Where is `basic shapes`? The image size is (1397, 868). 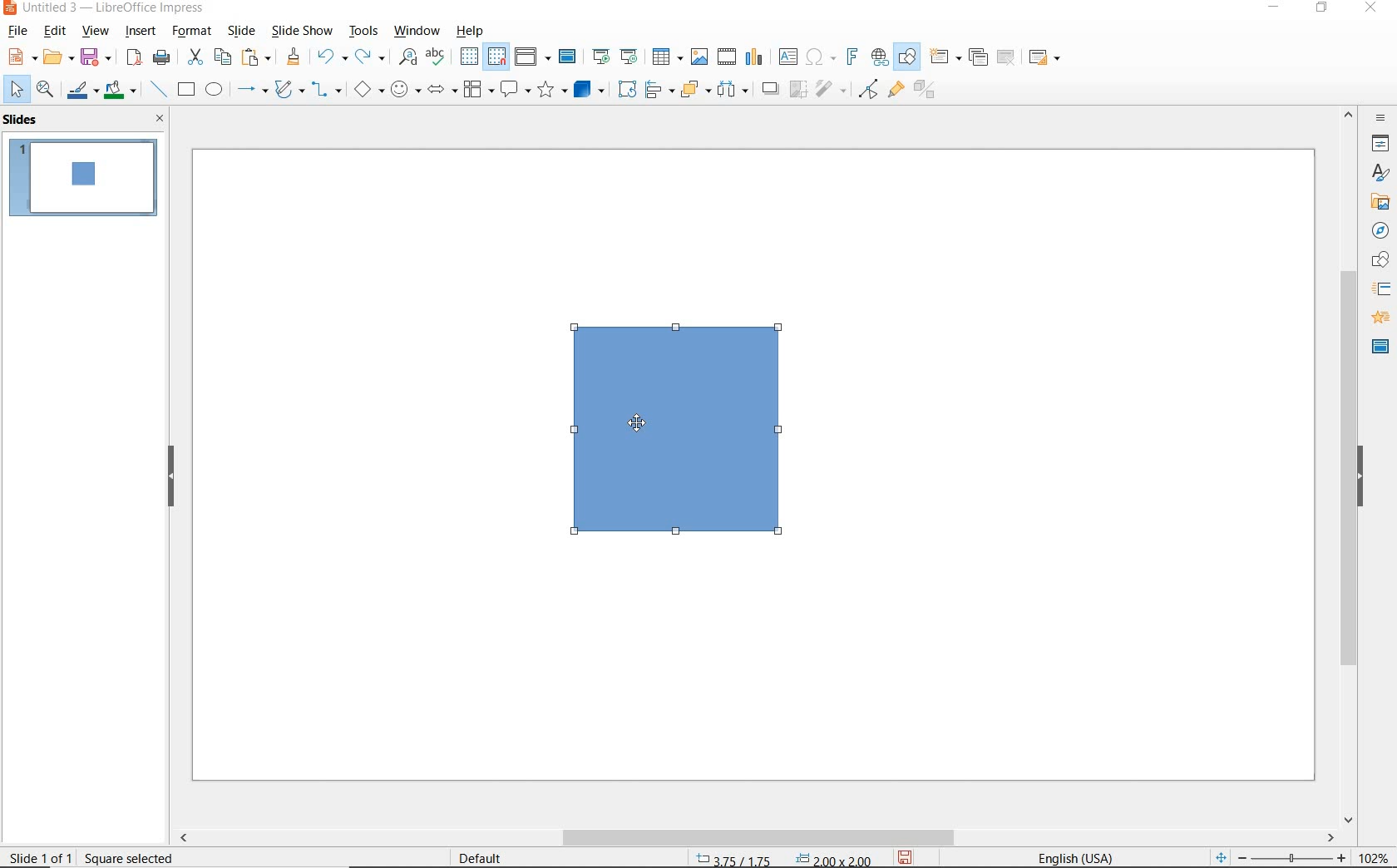
basic shapes is located at coordinates (367, 89).